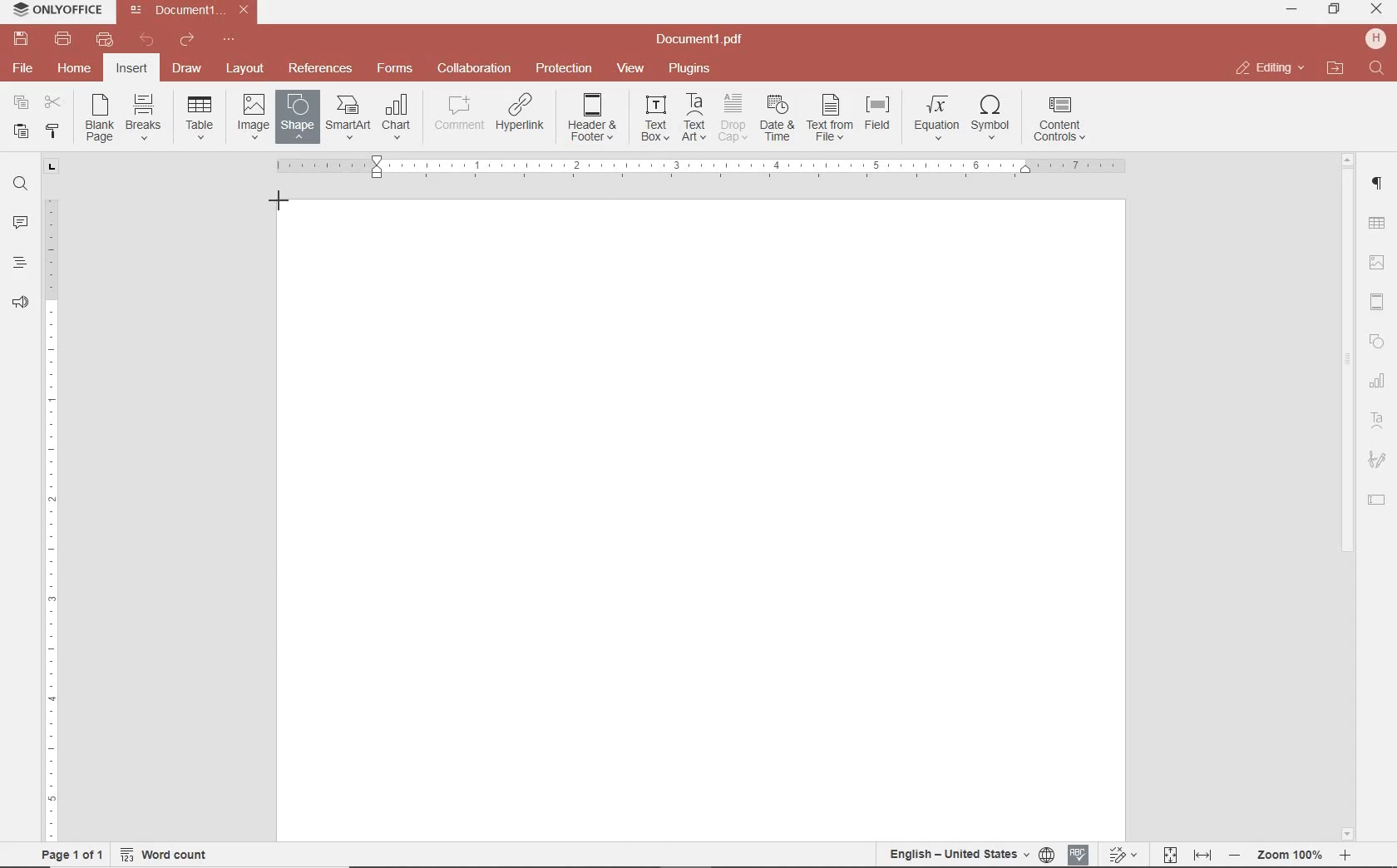  What do you see at coordinates (1378, 382) in the screenshot?
I see `CHART` at bounding box center [1378, 382].